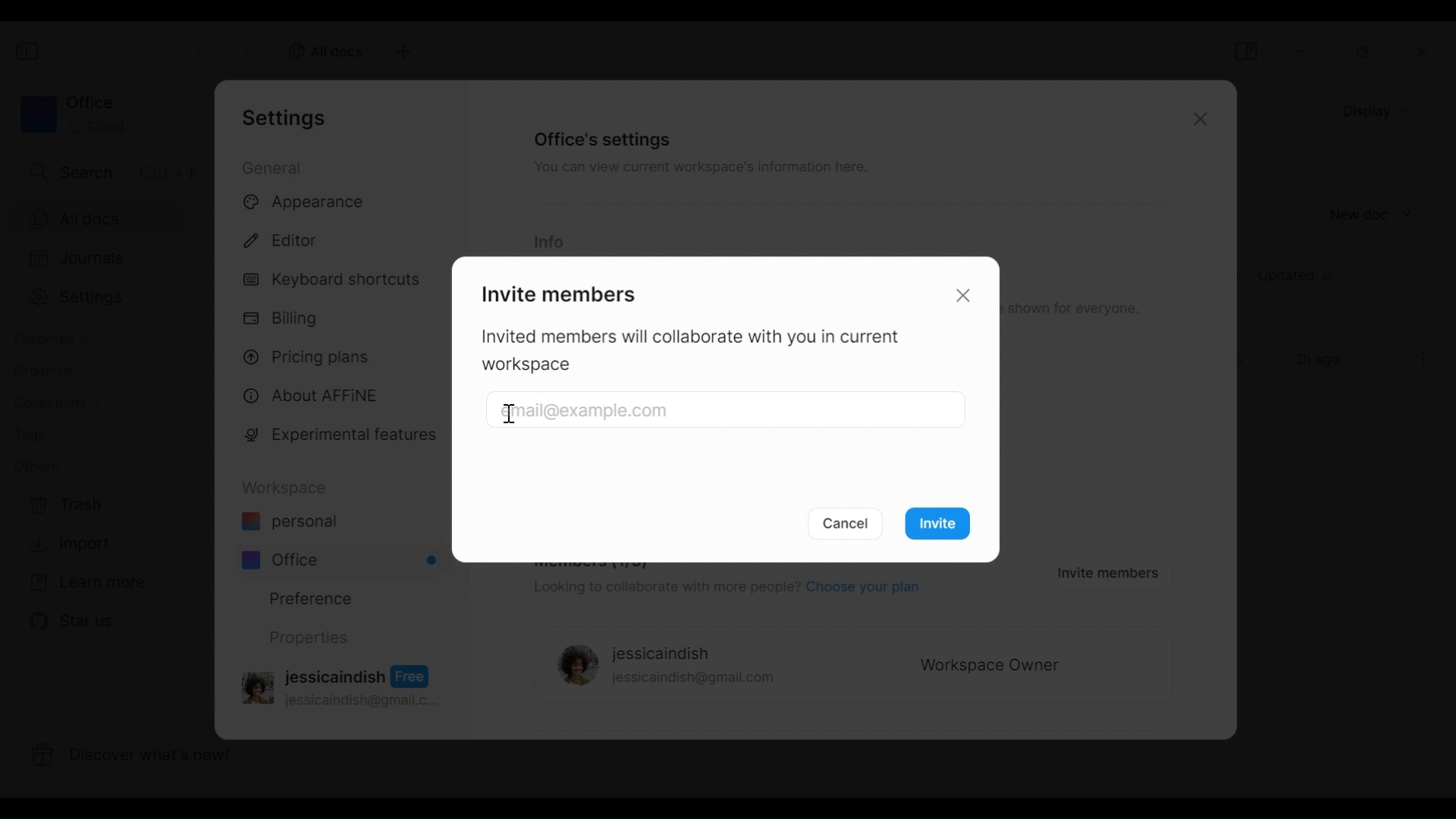 This screenshot has height=819, width=1456. I want to click on Favorites, so click(49, 339).